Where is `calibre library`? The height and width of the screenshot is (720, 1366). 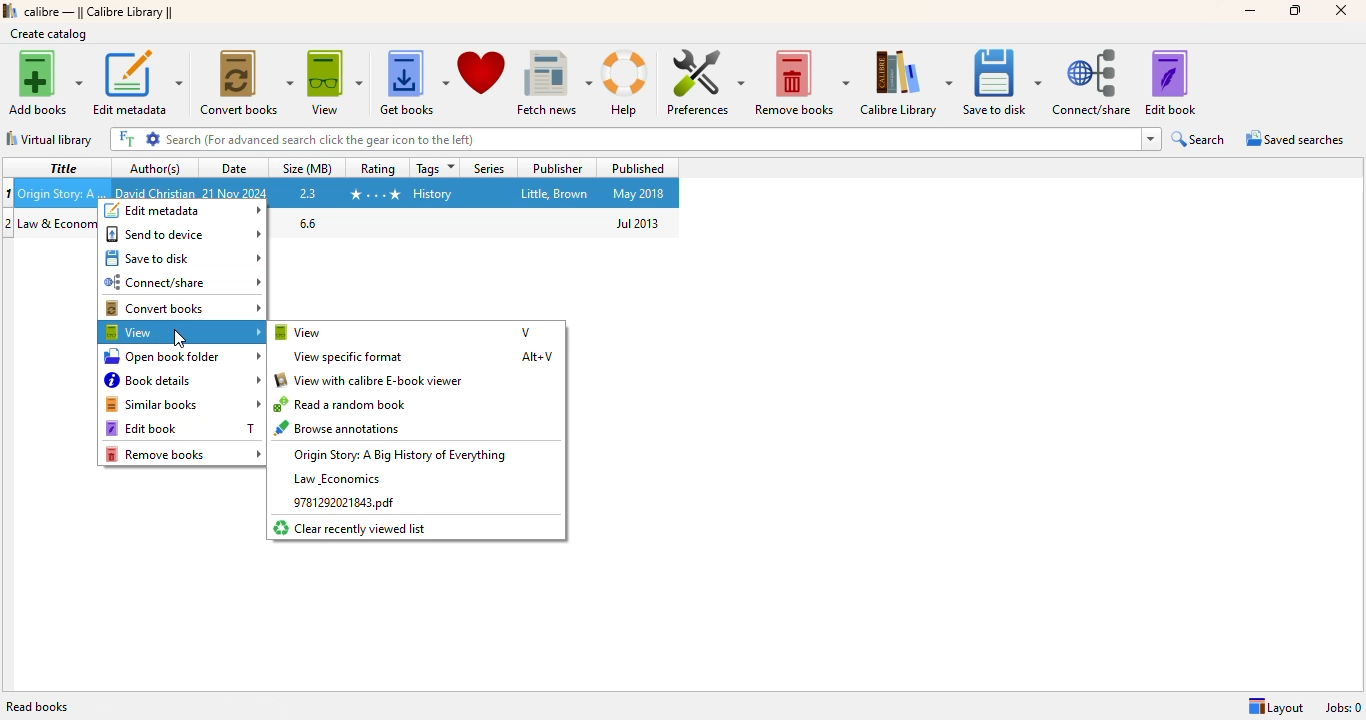
calibre library is located at coordinates (906, 83).